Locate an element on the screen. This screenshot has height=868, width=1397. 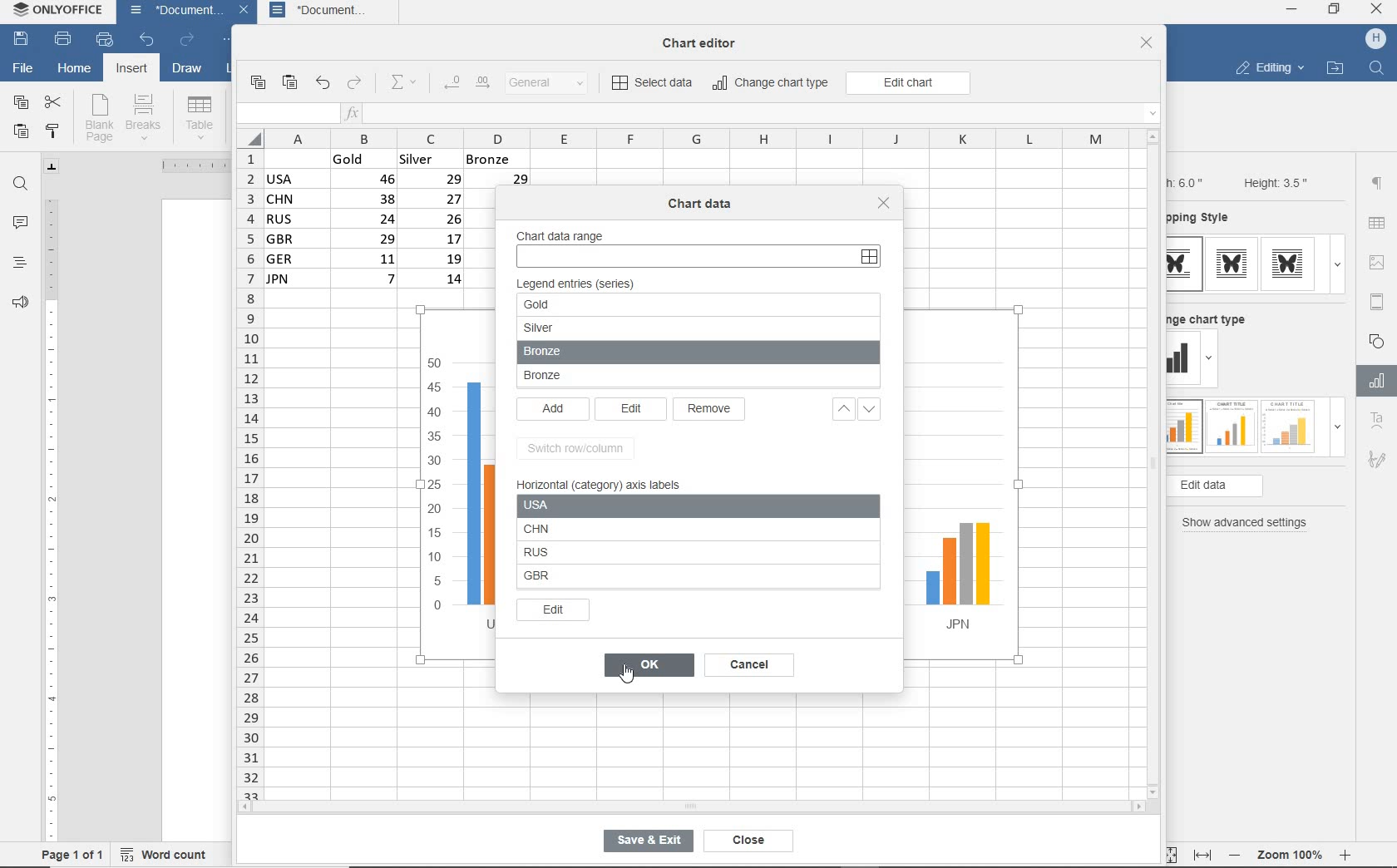
change chart type is located at coordinates (772, 84).